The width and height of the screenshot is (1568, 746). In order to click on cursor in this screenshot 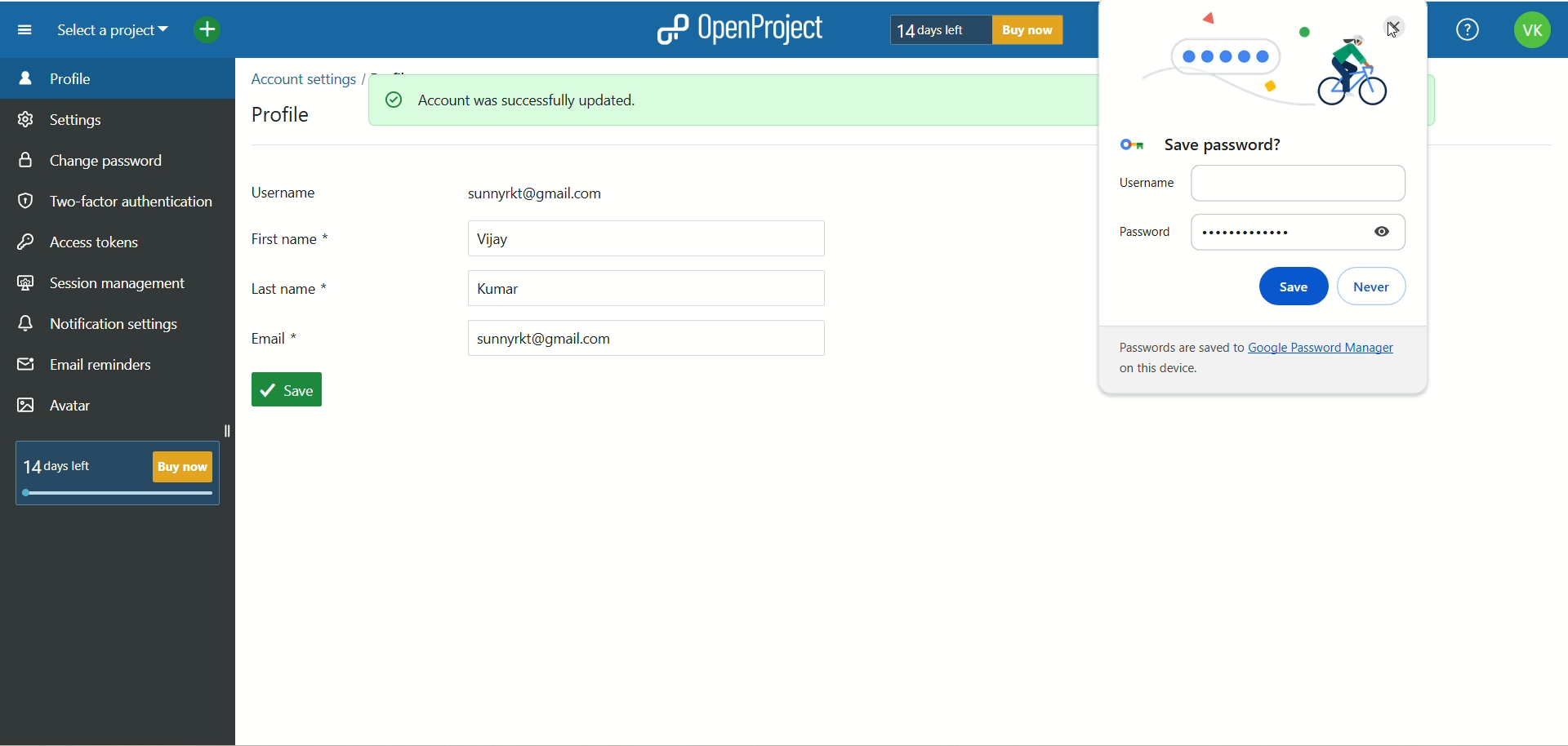, I will do `click(1397, 33)`.